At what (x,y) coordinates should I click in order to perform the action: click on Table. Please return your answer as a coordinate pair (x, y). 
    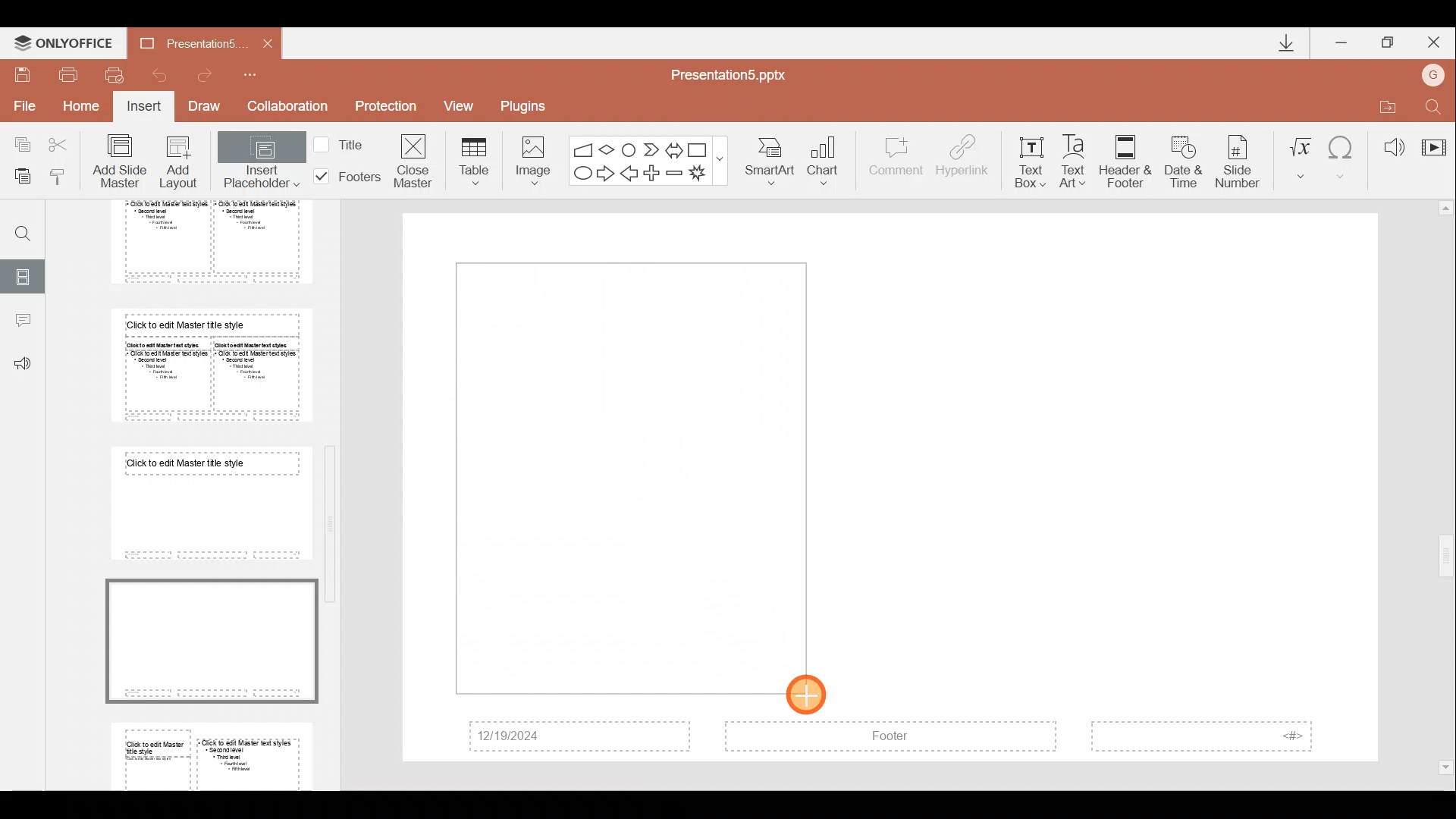
    Looking at the image, I should click on (472, 160).